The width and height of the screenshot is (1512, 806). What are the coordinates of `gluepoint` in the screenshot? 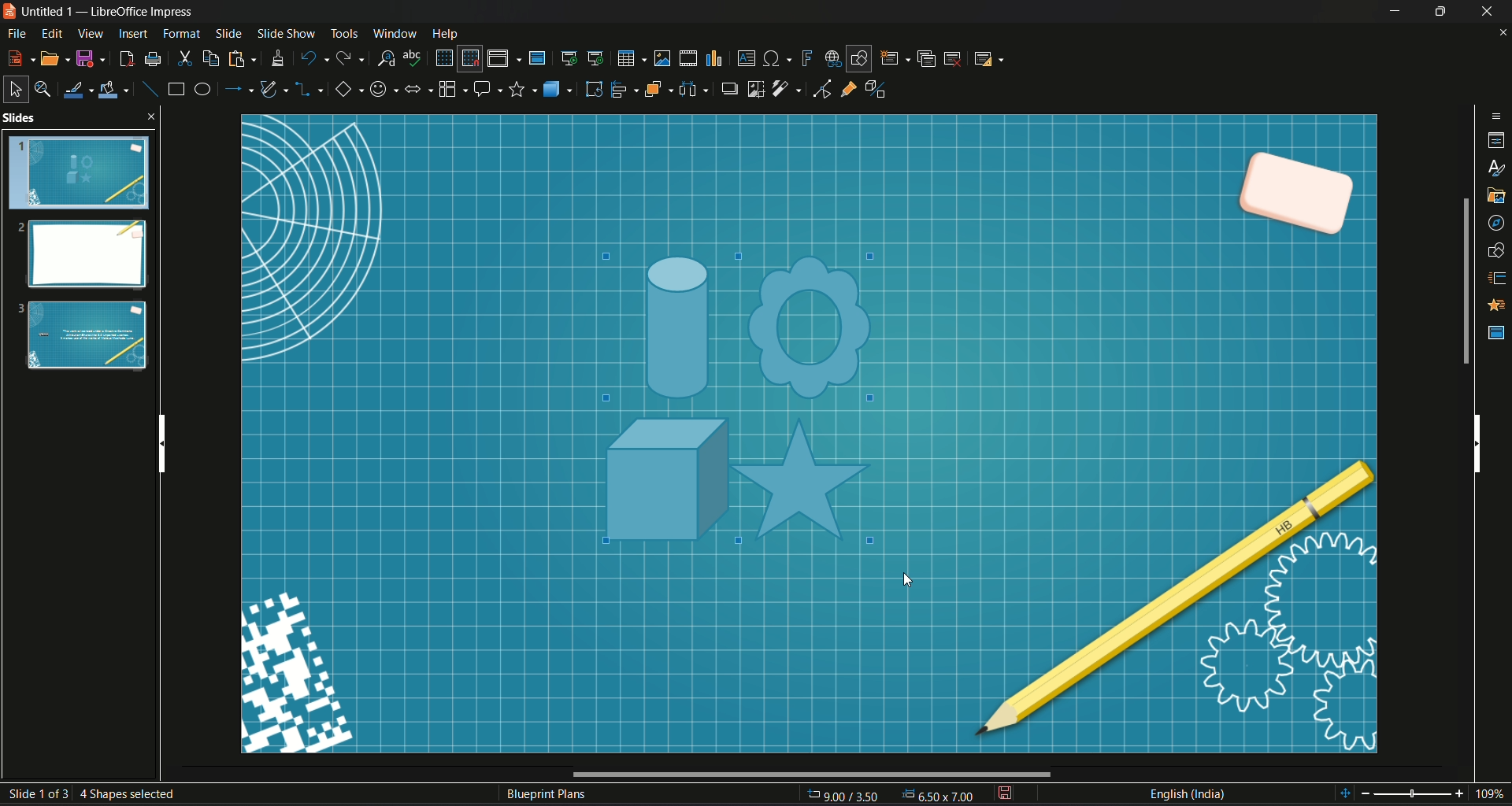 It's located at (848, 87).